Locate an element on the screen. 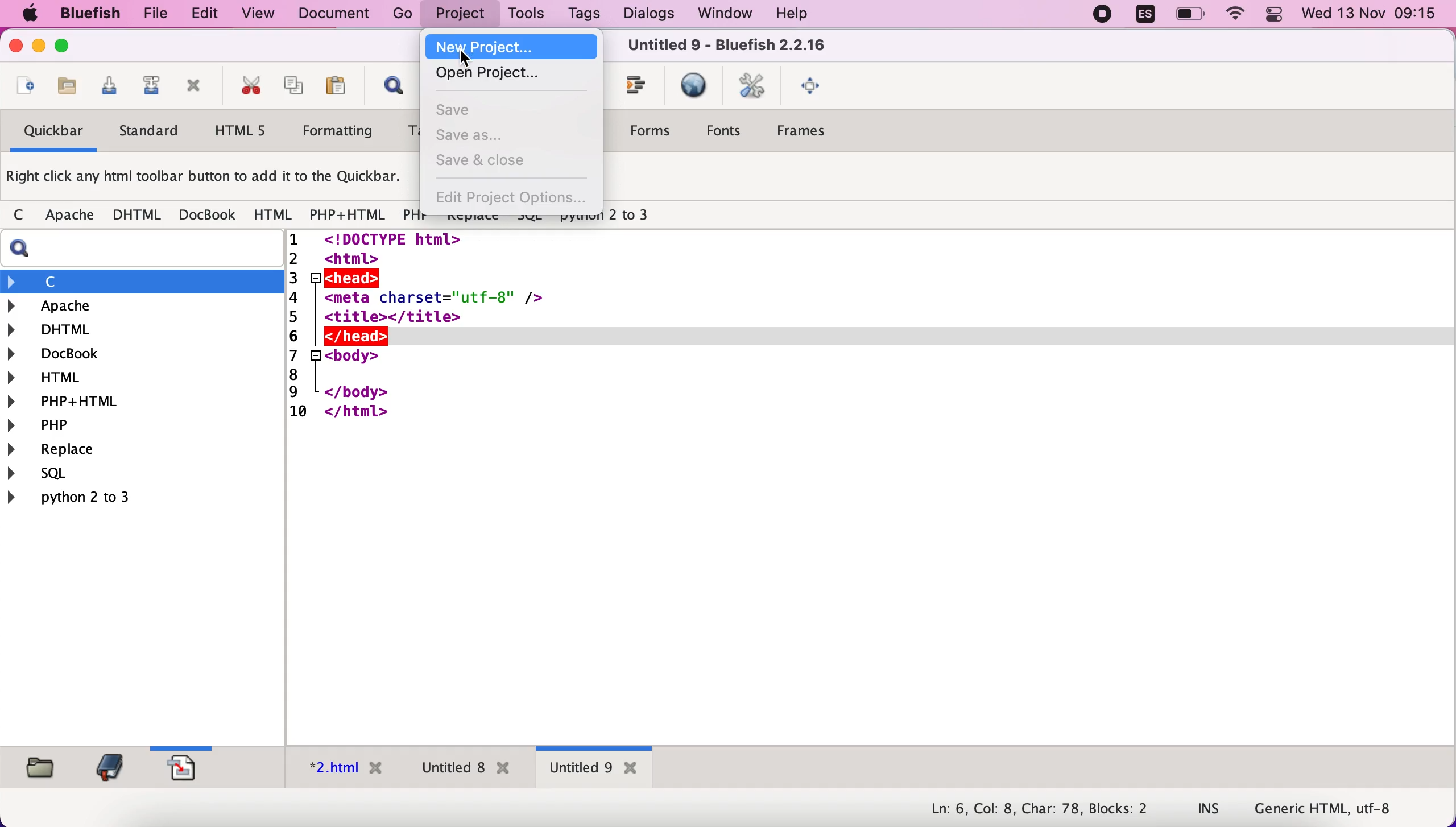  lines, column, blocks is located at coordinates (1031, 810).